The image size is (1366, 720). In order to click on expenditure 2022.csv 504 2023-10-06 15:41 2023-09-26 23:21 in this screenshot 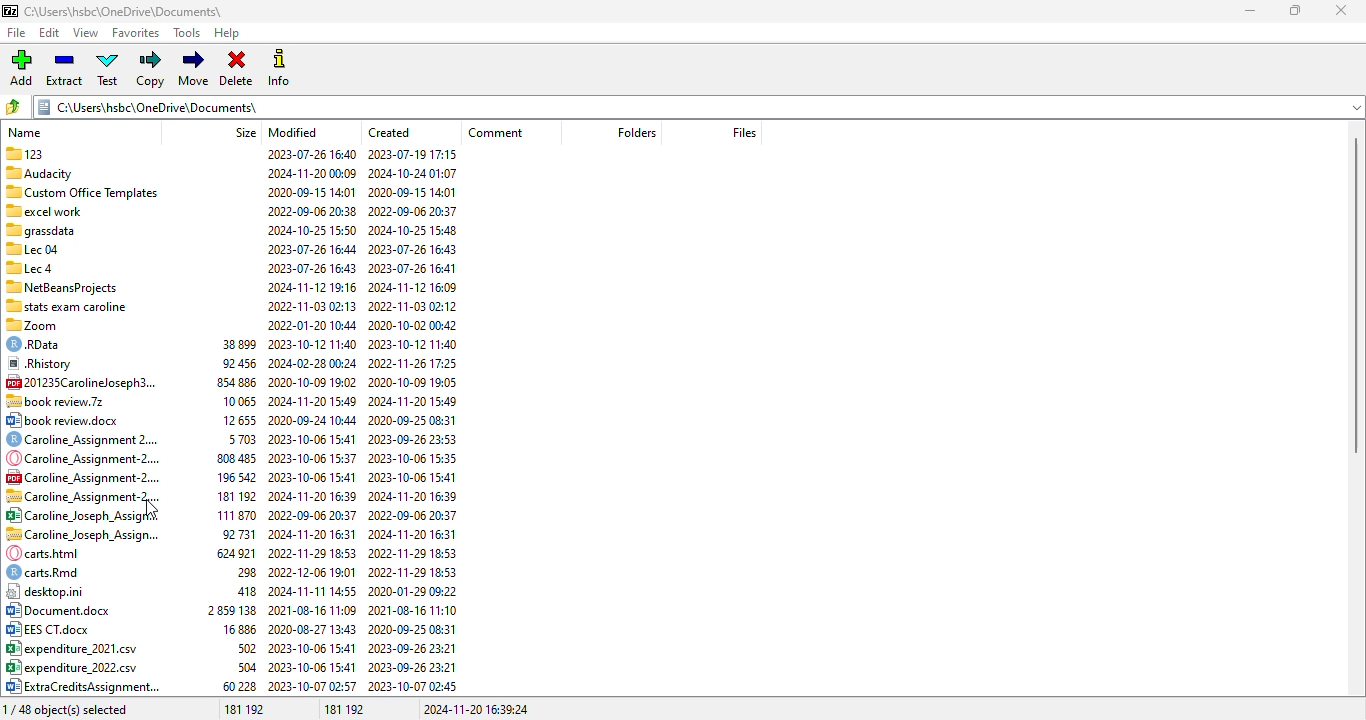, I will do `click(232, 667)`.